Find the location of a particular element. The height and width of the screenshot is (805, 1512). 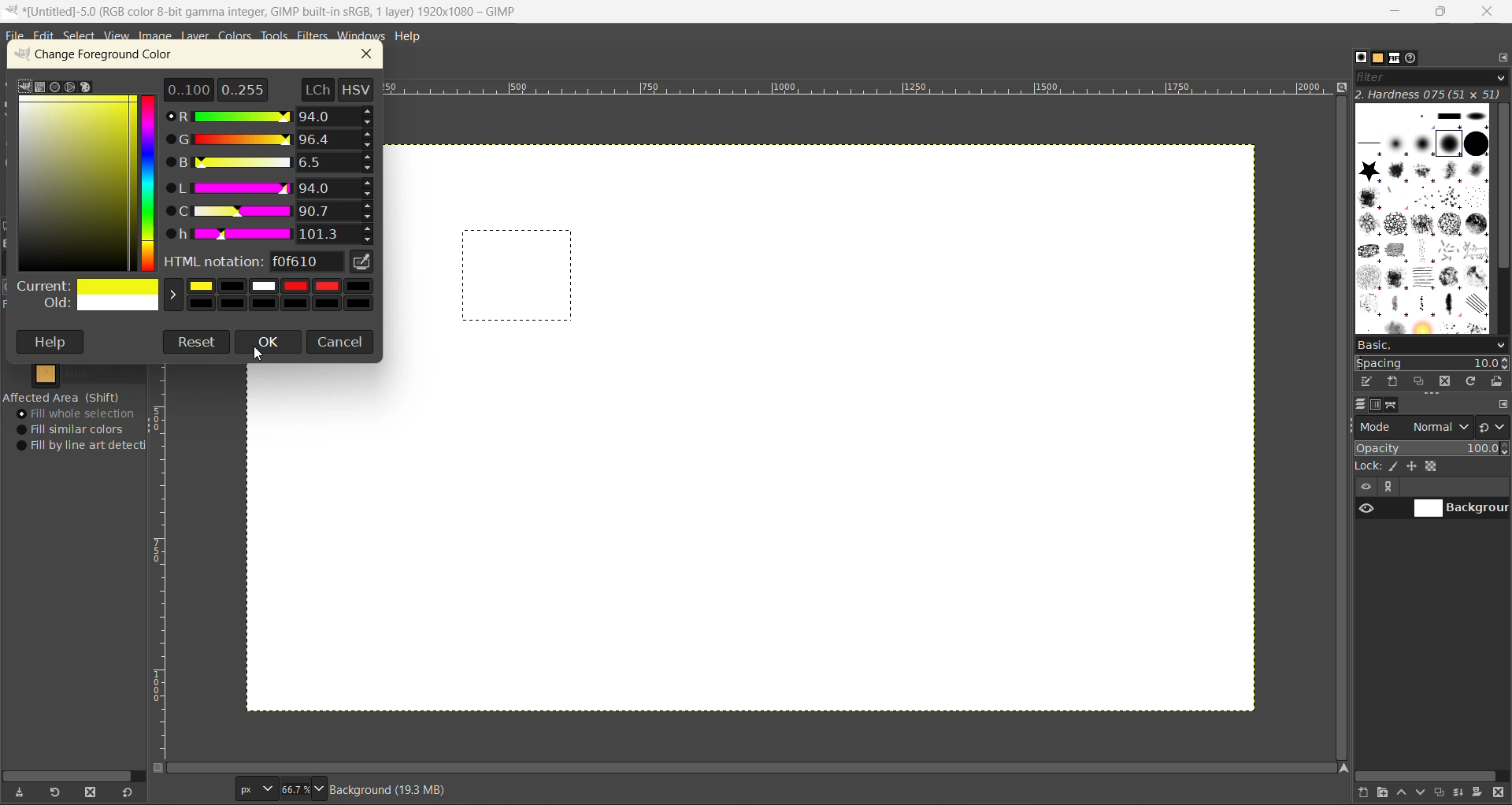

document history is located at coordinates (1413, 59).